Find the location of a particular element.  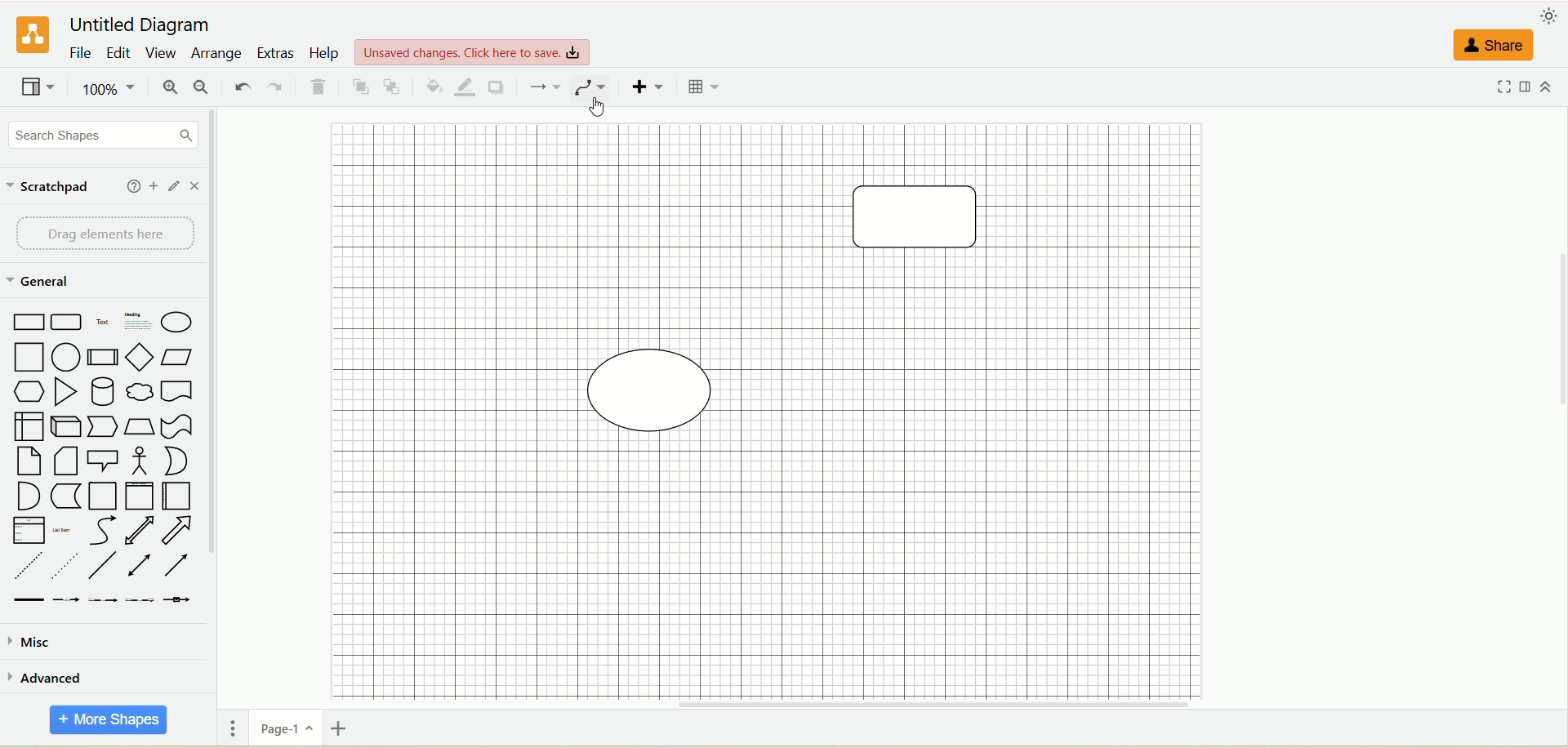

help is located at coordinates (325, 53).